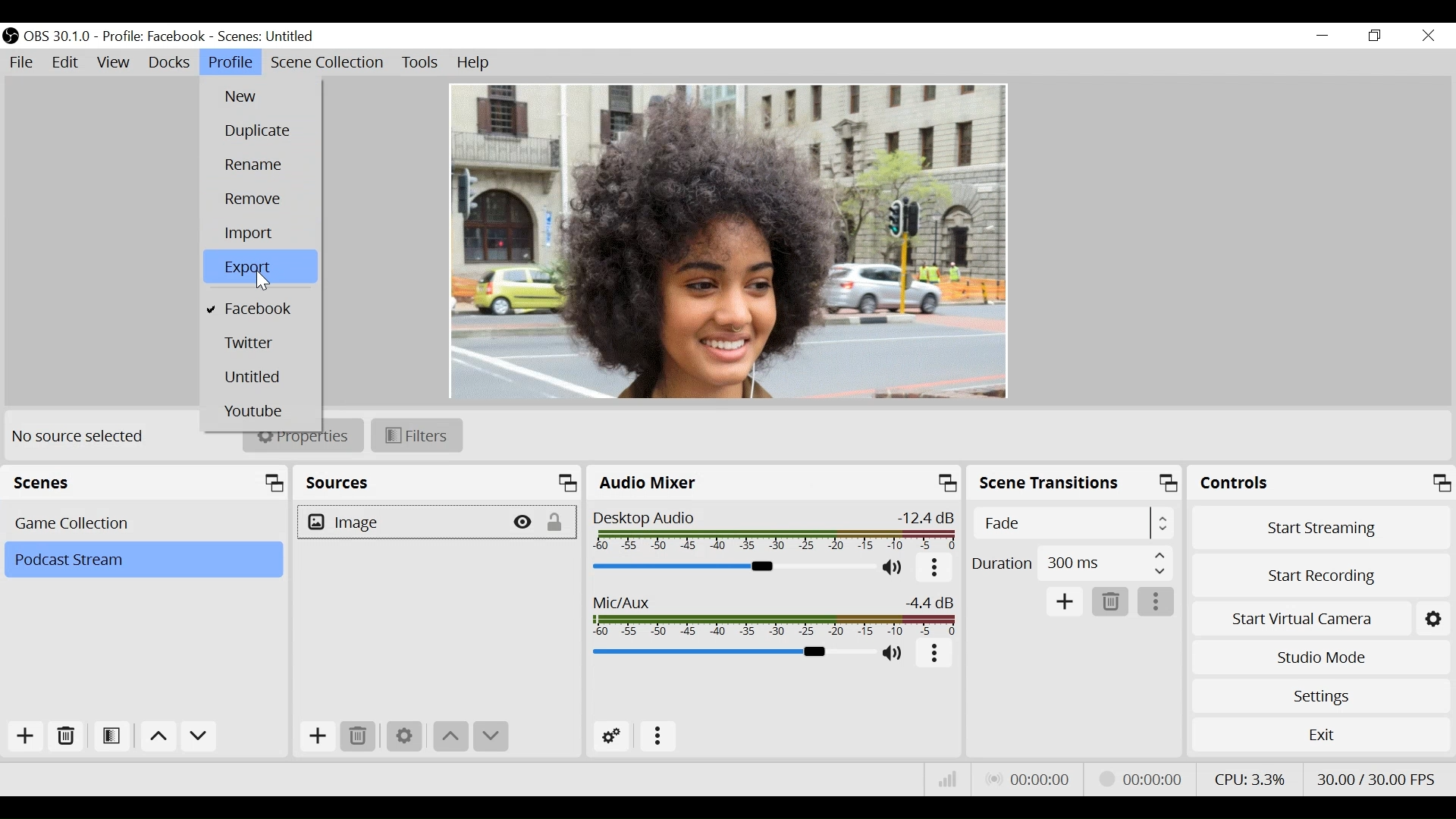 Image resolution: width=1456 pixels, height=819 pixels. Describe the element at coordinates (1323, 528) in the screenshot. I see `Start Streaming` at that location.